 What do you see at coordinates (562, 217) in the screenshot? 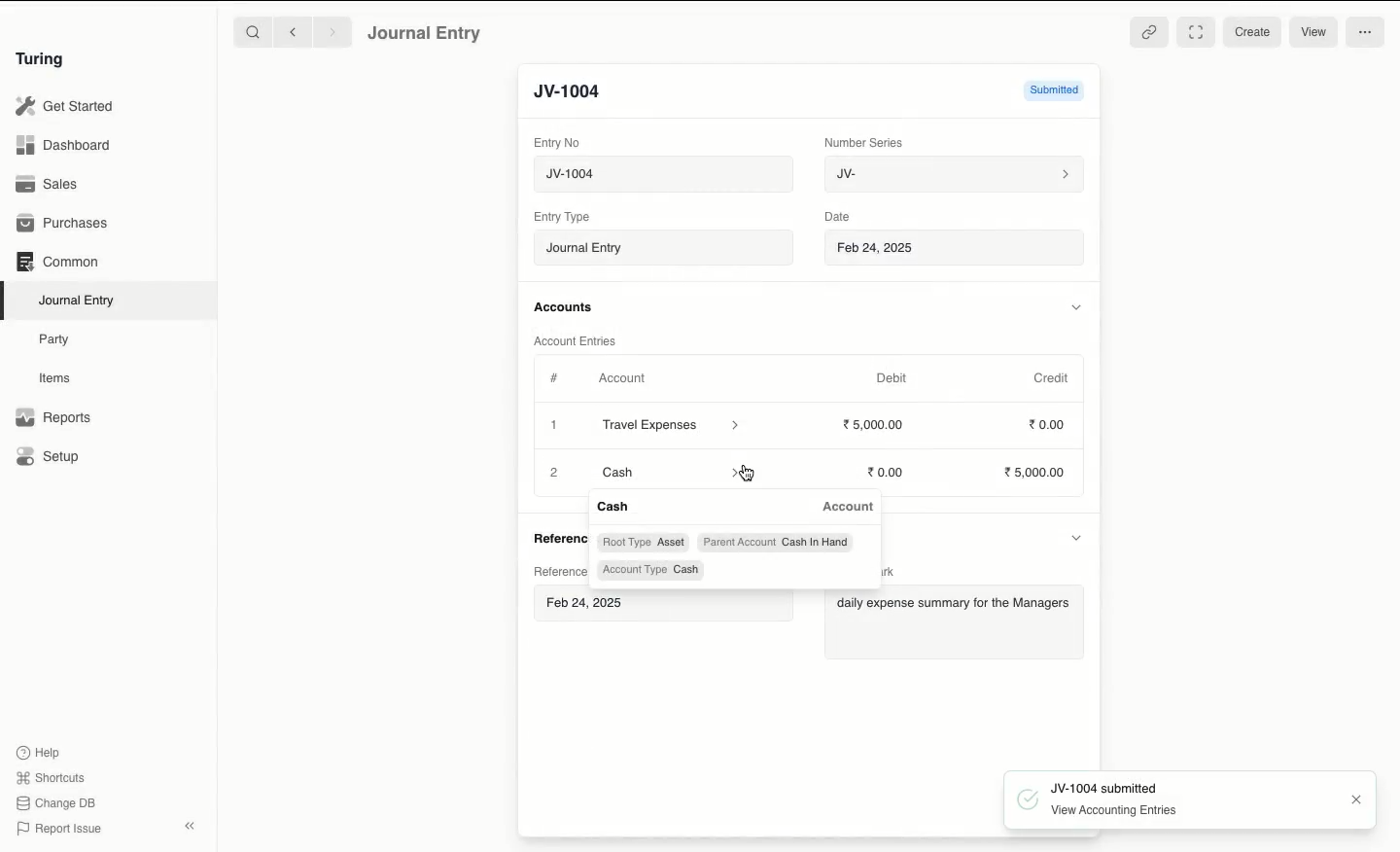
I see `Entry Type` at bounding box center [562, 217].